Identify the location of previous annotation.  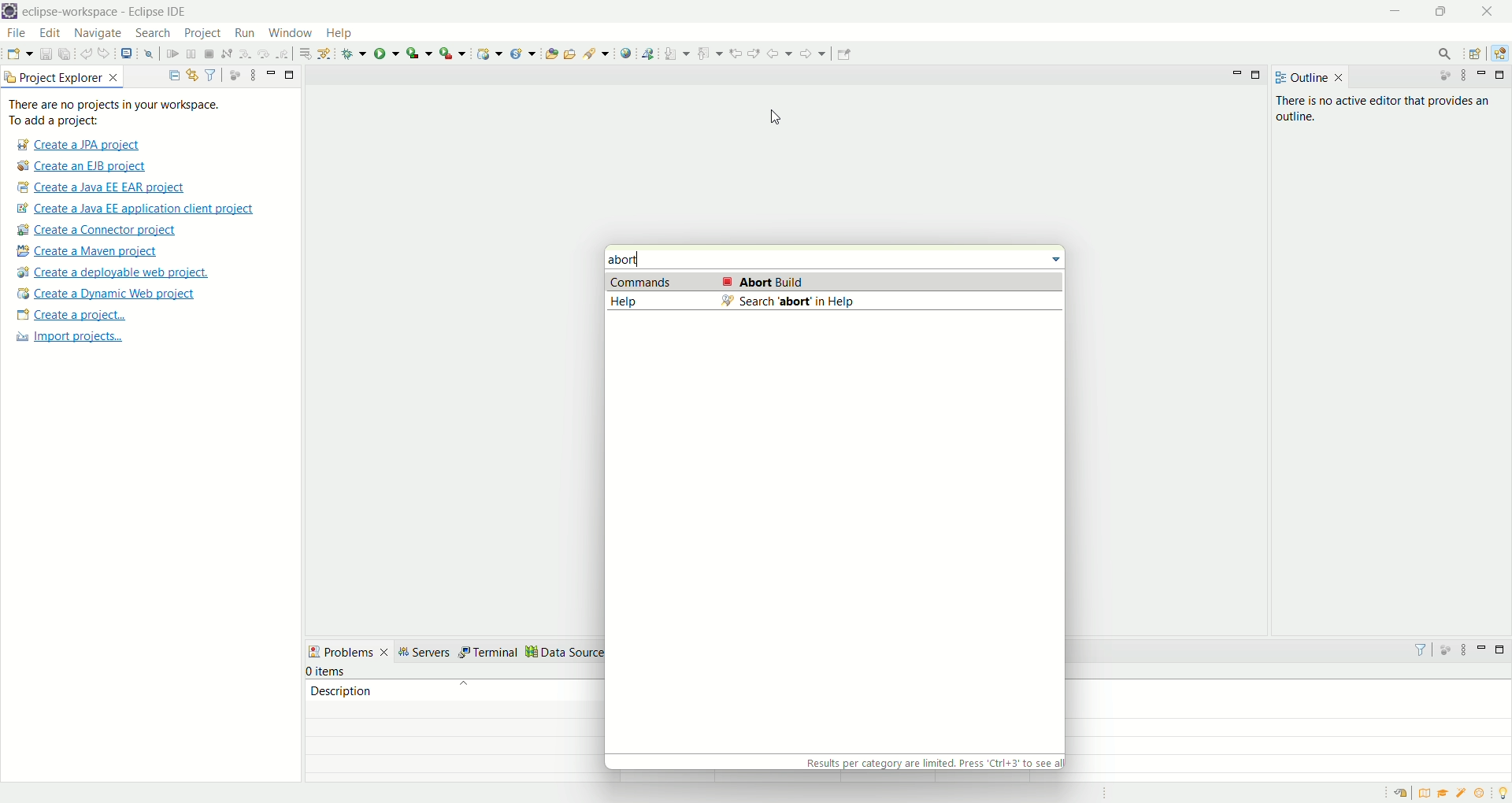
(706, 54).